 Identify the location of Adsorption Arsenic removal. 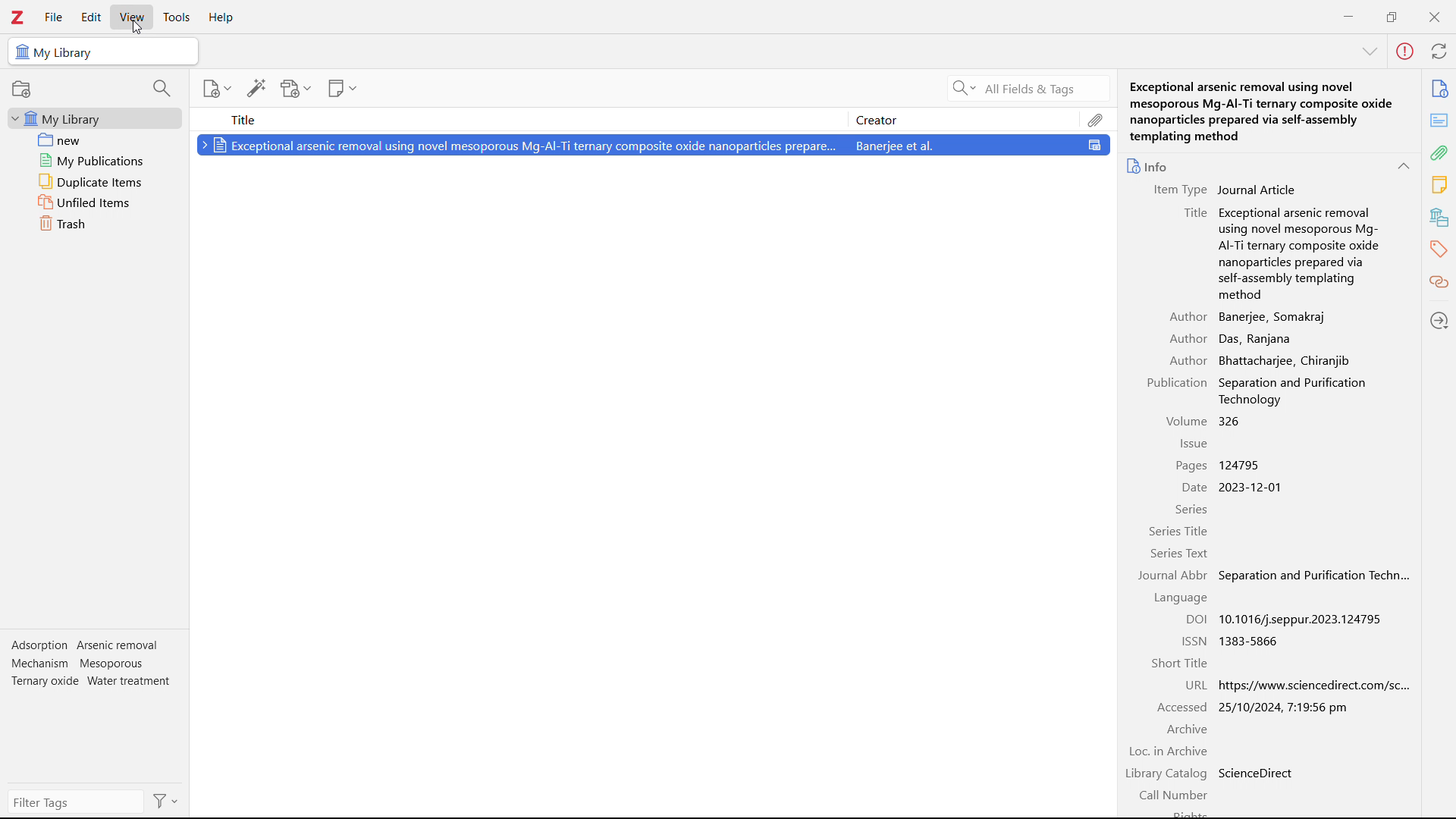
(87, 645).